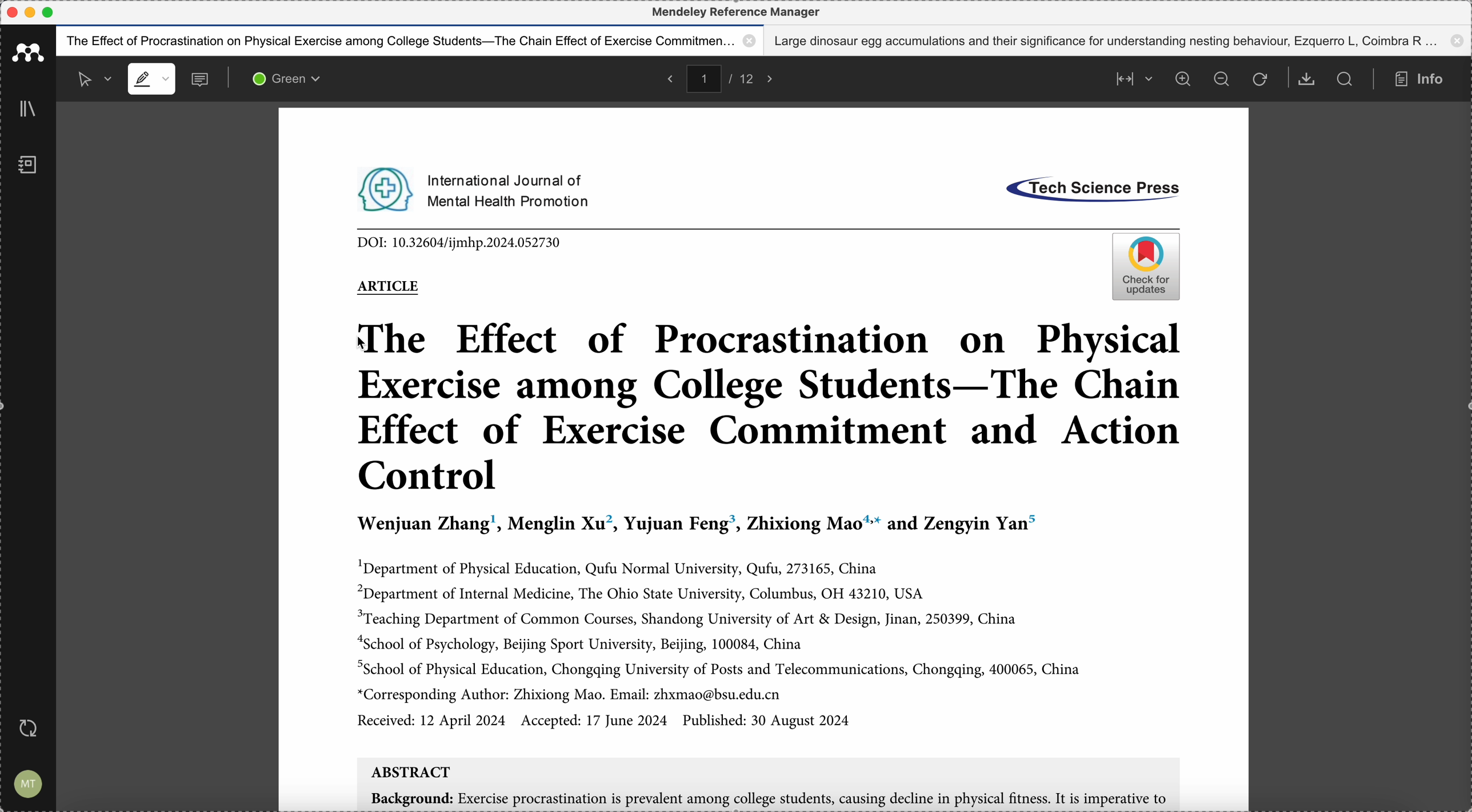 The height and width of the screenshot is (812, 1472). What do you see at coordinates (1182, 79) in the screenshot?
I see `zoom in` at bounding box center [1182, 79].